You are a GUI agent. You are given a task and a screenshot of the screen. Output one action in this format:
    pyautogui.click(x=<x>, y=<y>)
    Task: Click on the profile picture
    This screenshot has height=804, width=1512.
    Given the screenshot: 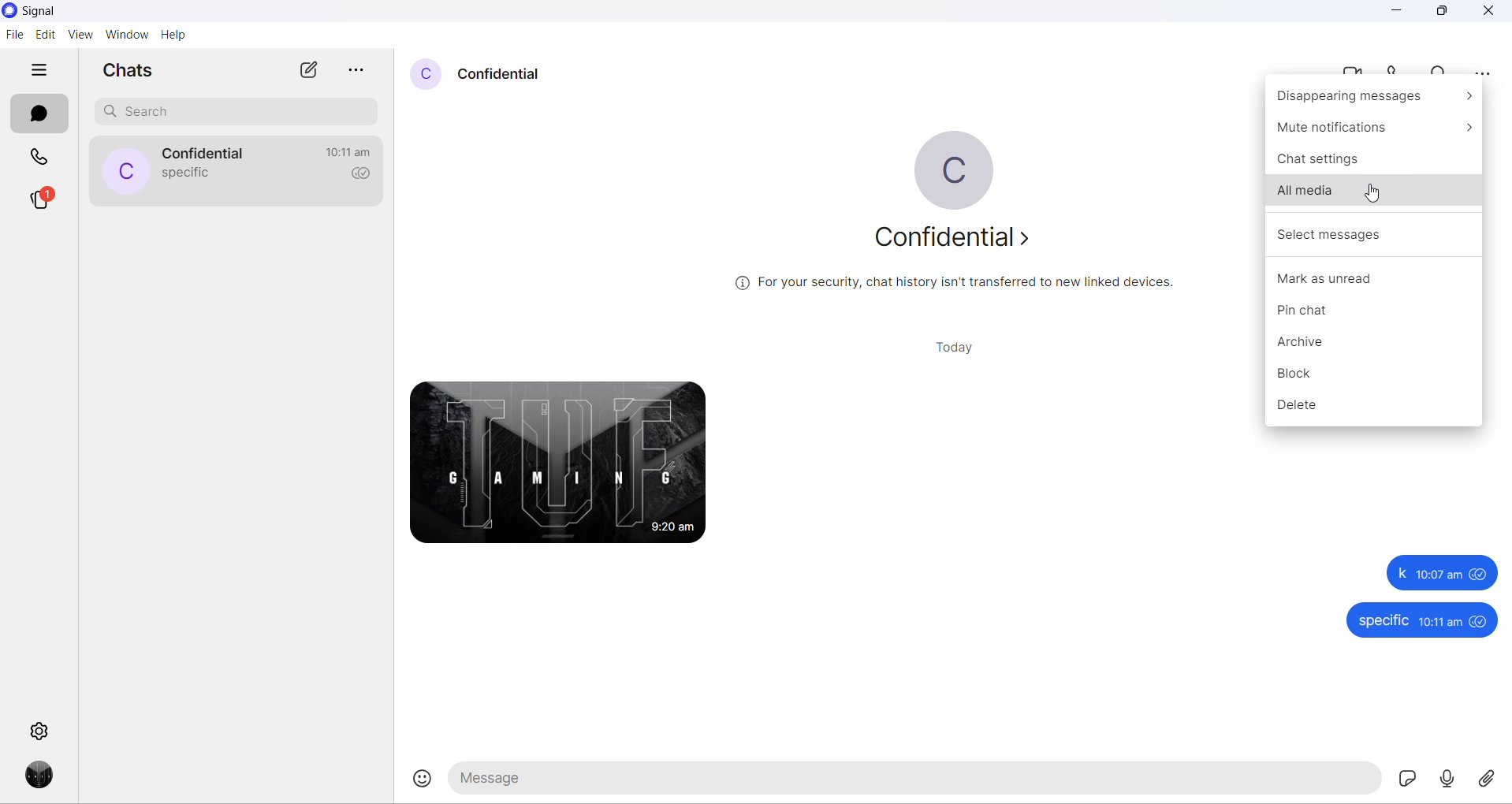 What is the action you would take?
    pyautogui.click(x=424, y=75)
    